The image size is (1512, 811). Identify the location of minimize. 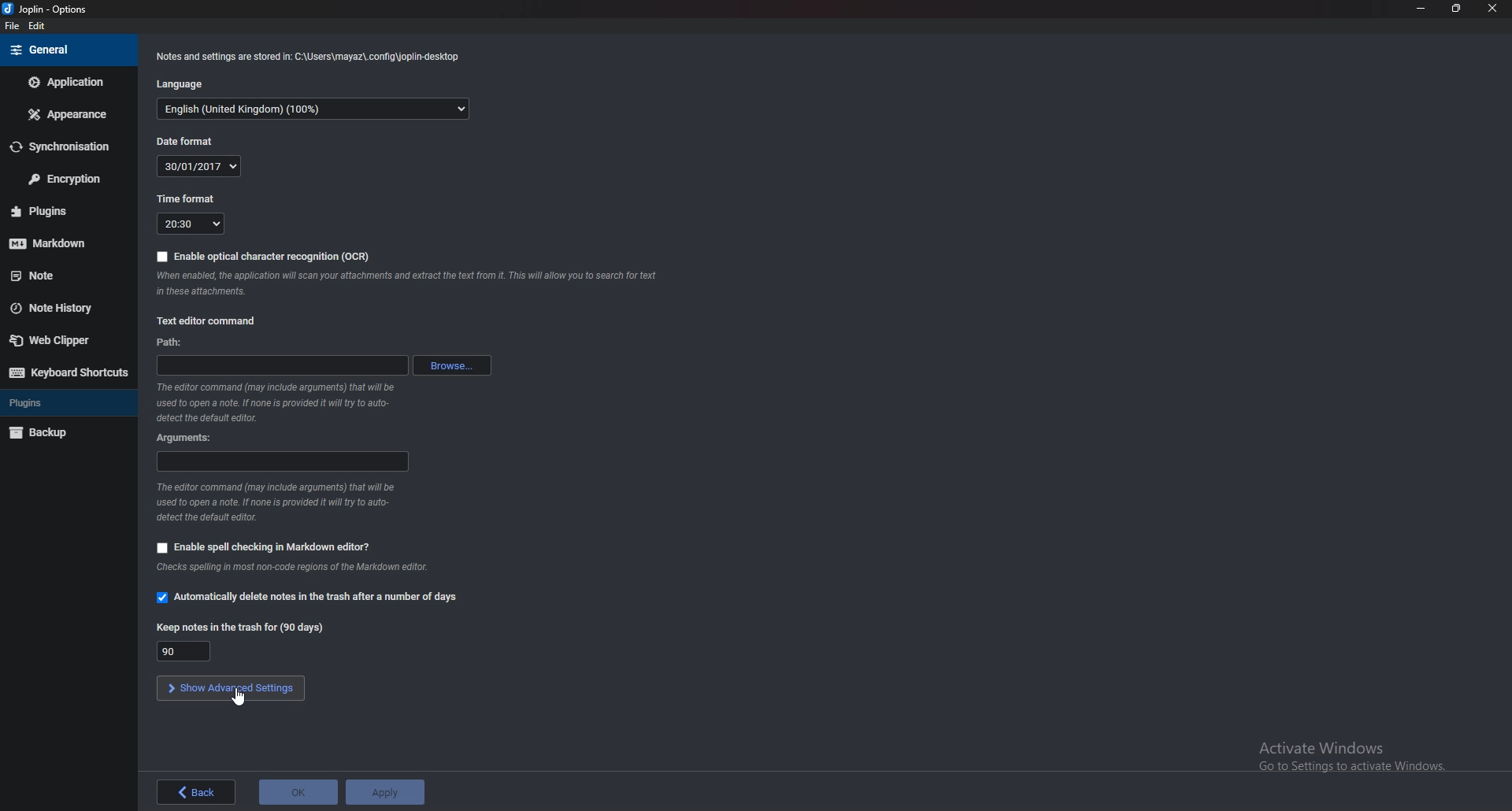
(1421, 10).